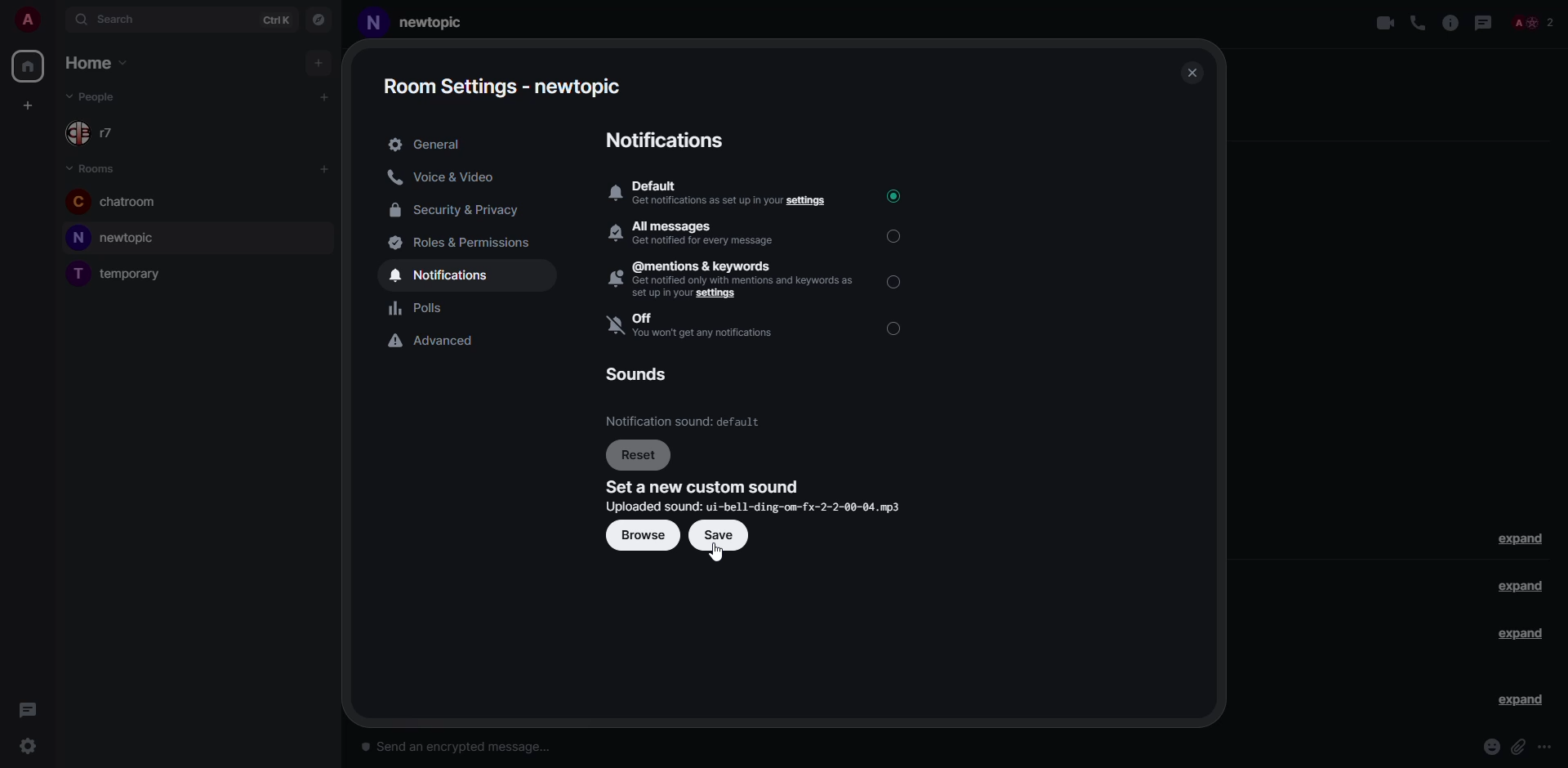 The width and height of the screenshot is (1568, 768). I want to click on a Default® Get notifications as set up in your settings, so click(719, 194).